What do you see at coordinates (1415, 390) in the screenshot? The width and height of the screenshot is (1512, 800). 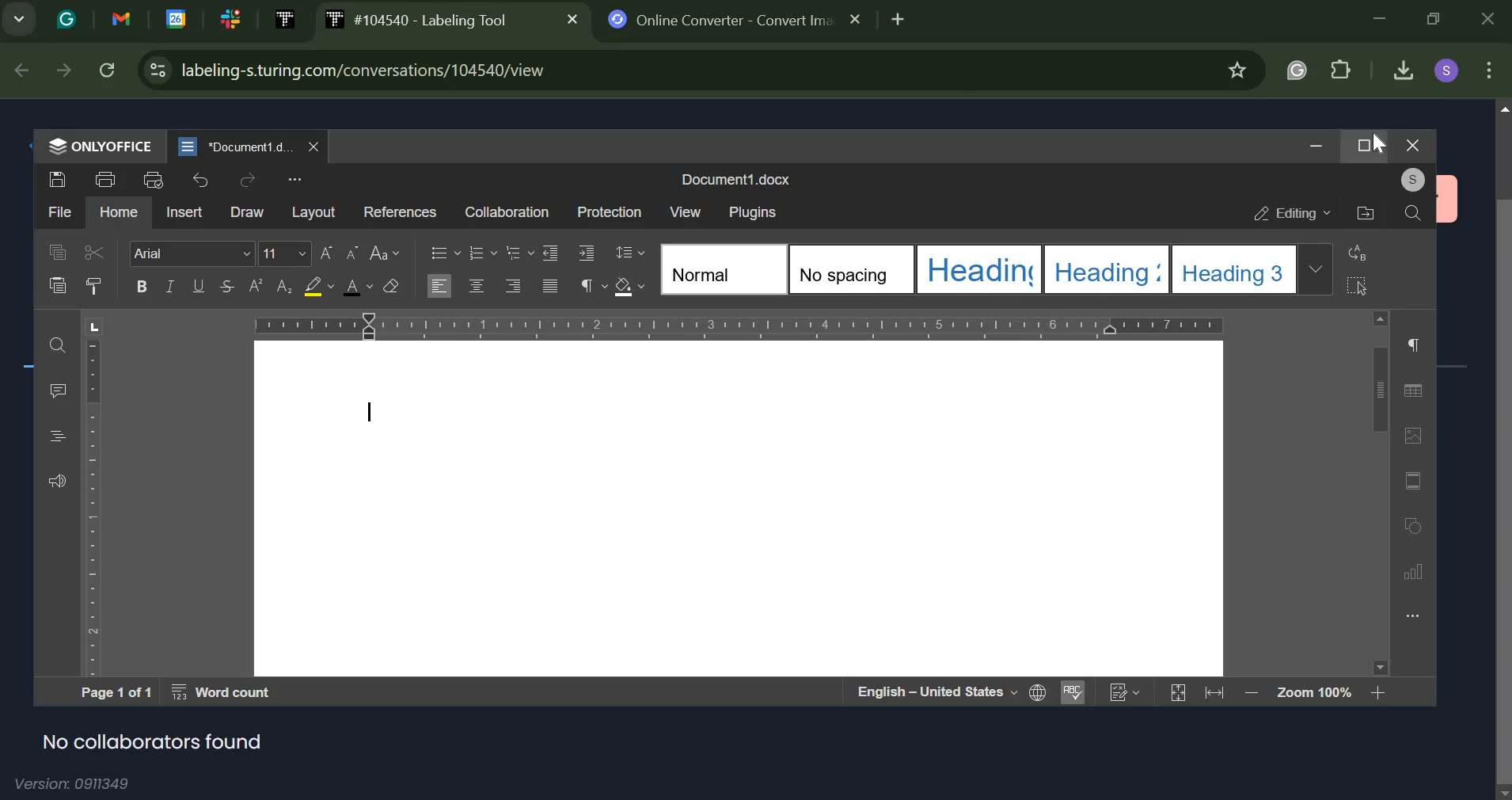 I see `table` at bounding box center [1415, 390].